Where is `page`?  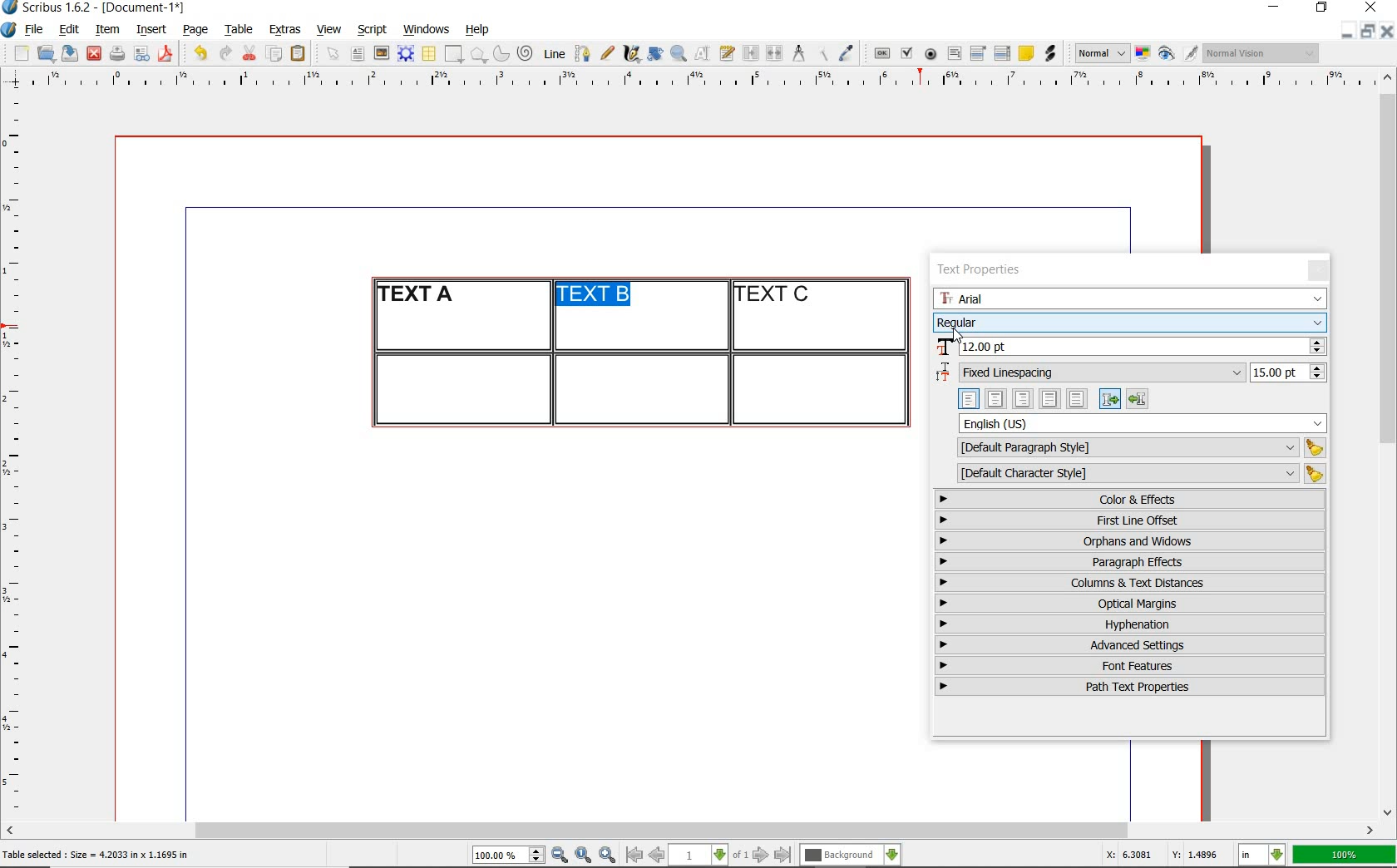 page is located at coordinates (195, 29).